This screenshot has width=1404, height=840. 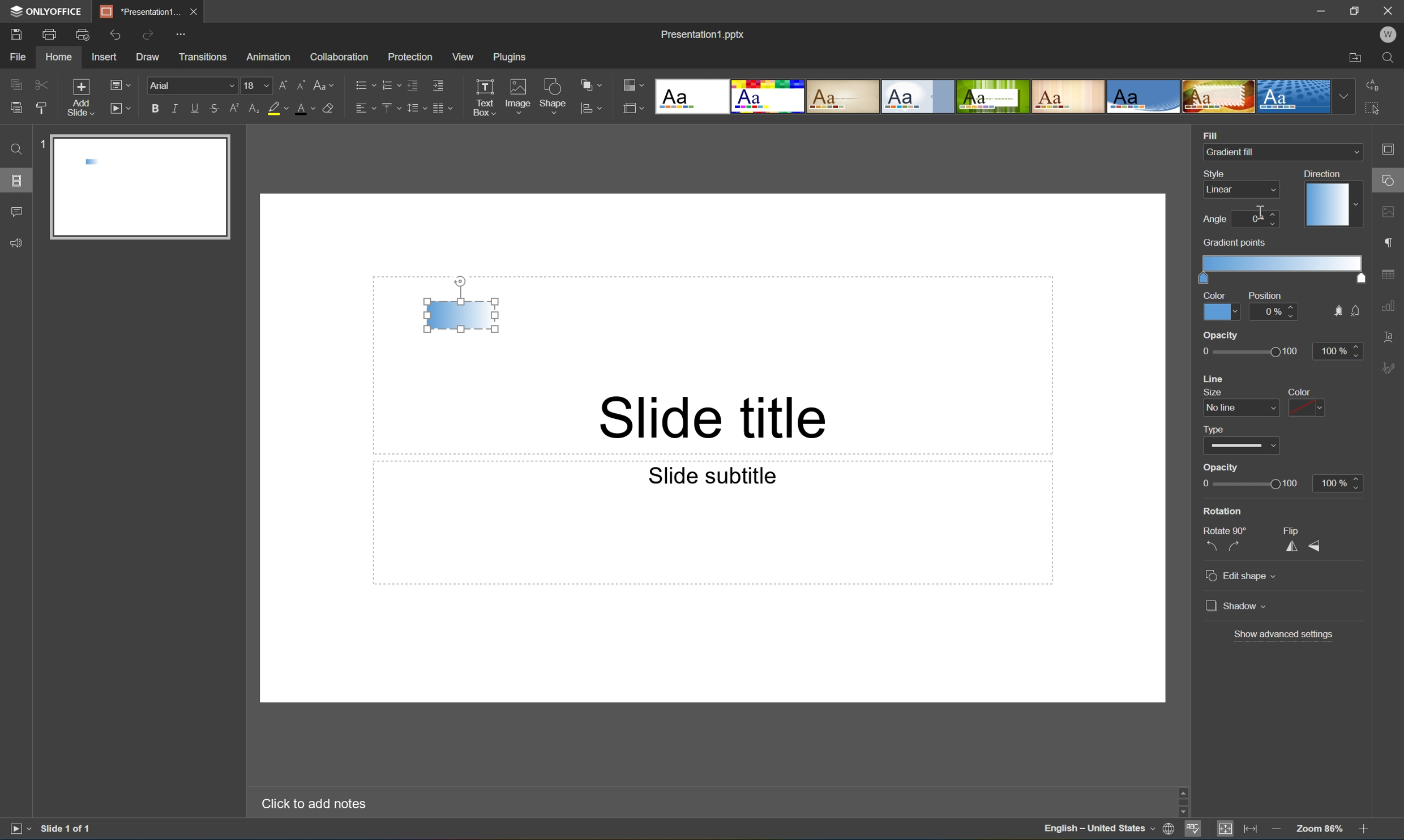 What do you see at coordinates (1214, 219) in the screenshot?
I see `Angle` at bounding box center [1214, 219].